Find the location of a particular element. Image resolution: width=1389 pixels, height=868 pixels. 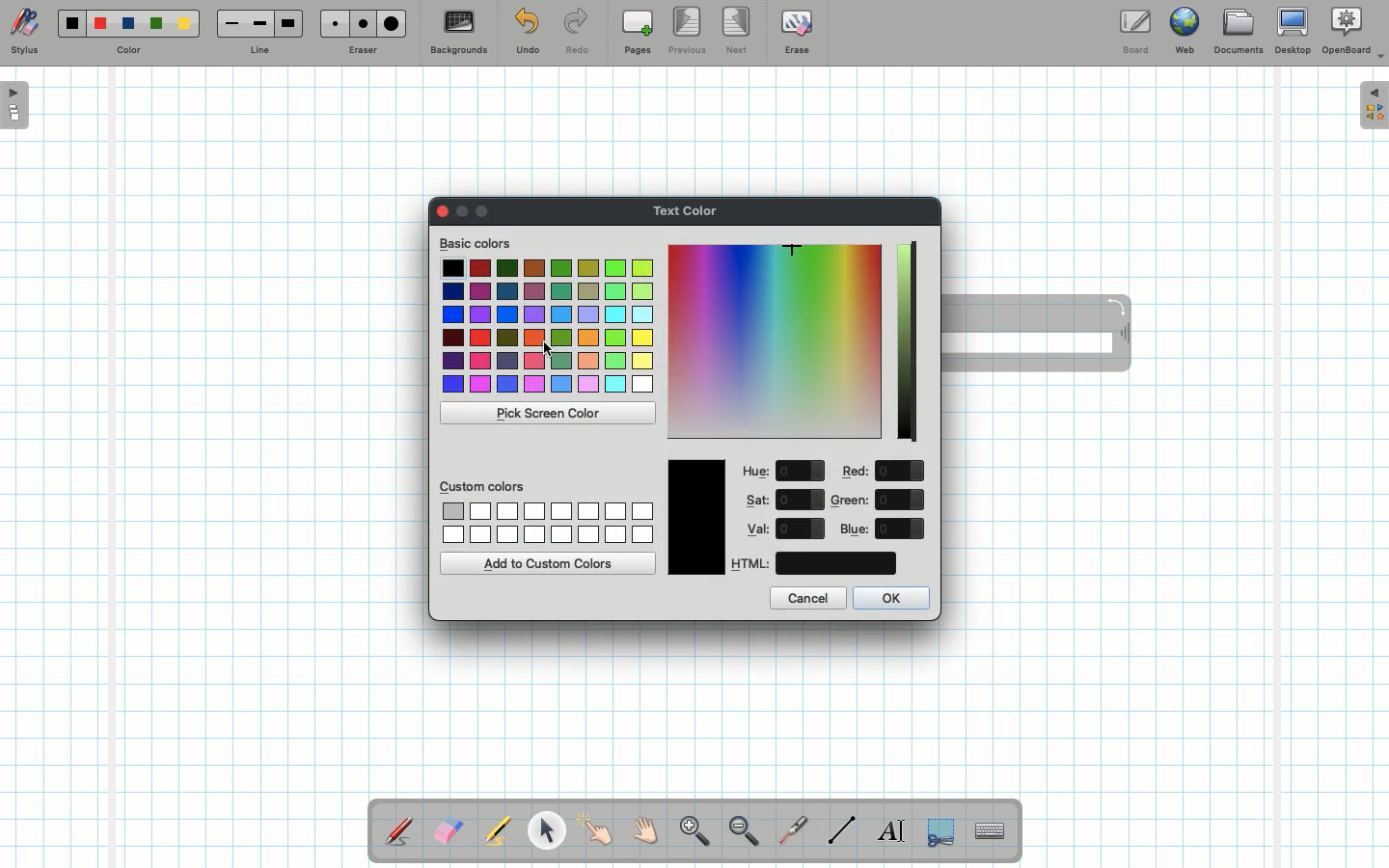

Text input is located at coordinates (991, 826).